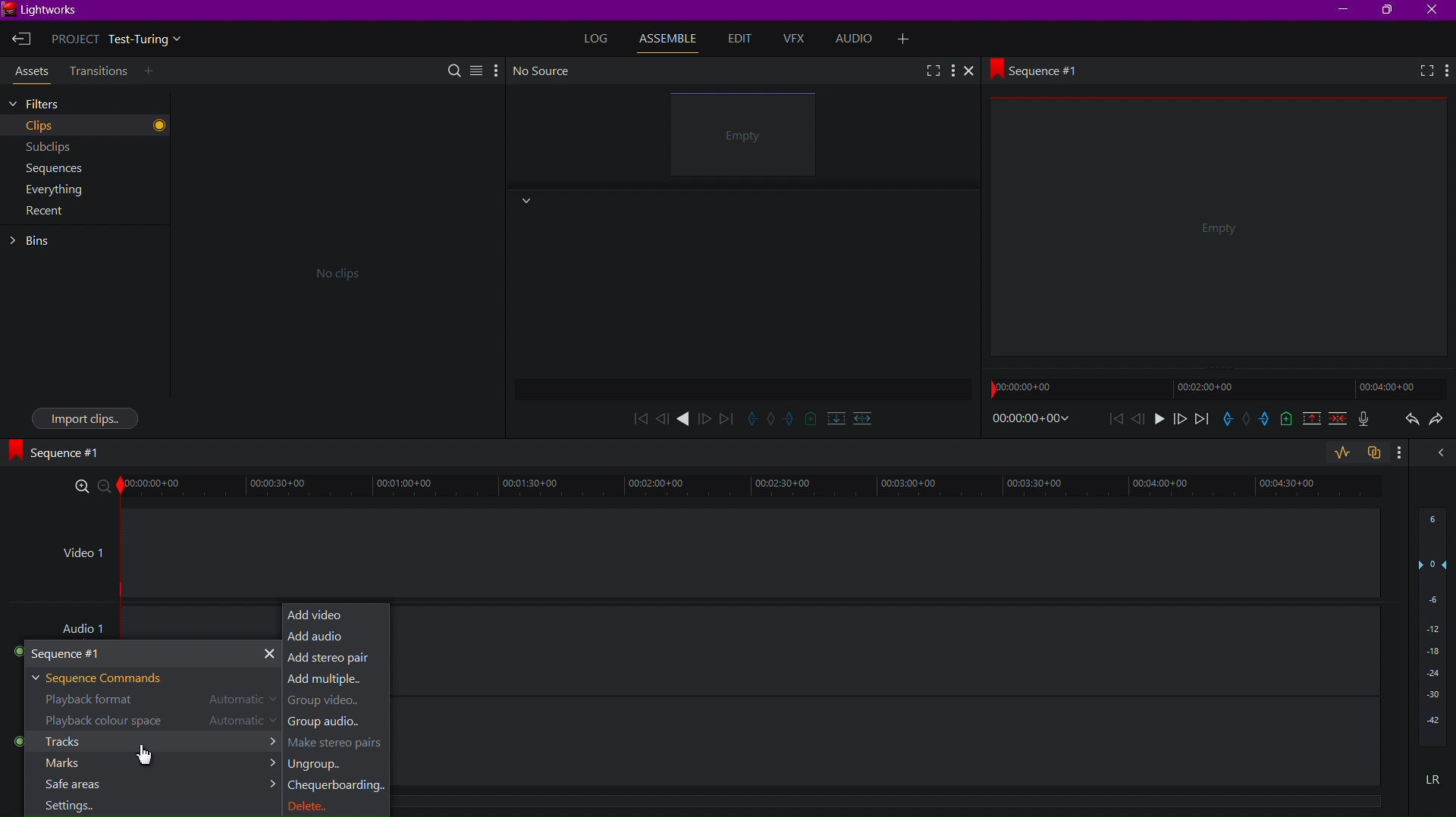 Image resolution: width=1456 pixels, height=817 pixels. What do you see at coordinates (1285, 421) in the screenshot?
I see `new` at bounding box center [1285, 421].